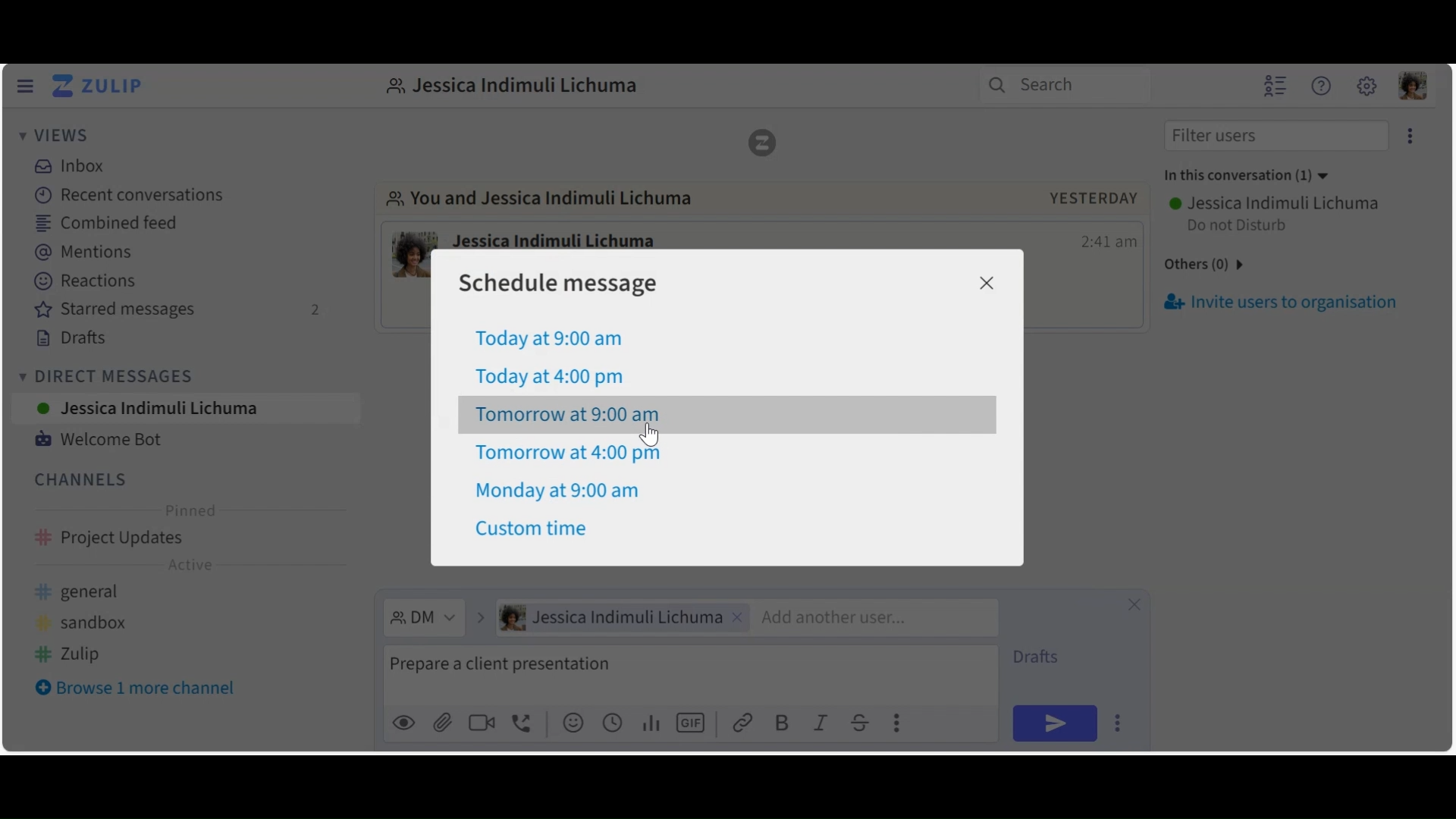 This screenshot has height=819, width=1456. What do you see at coordinates (551, 200) in the screenshot?
I see `Go to direct message with user` at bounding box center [551, 200].